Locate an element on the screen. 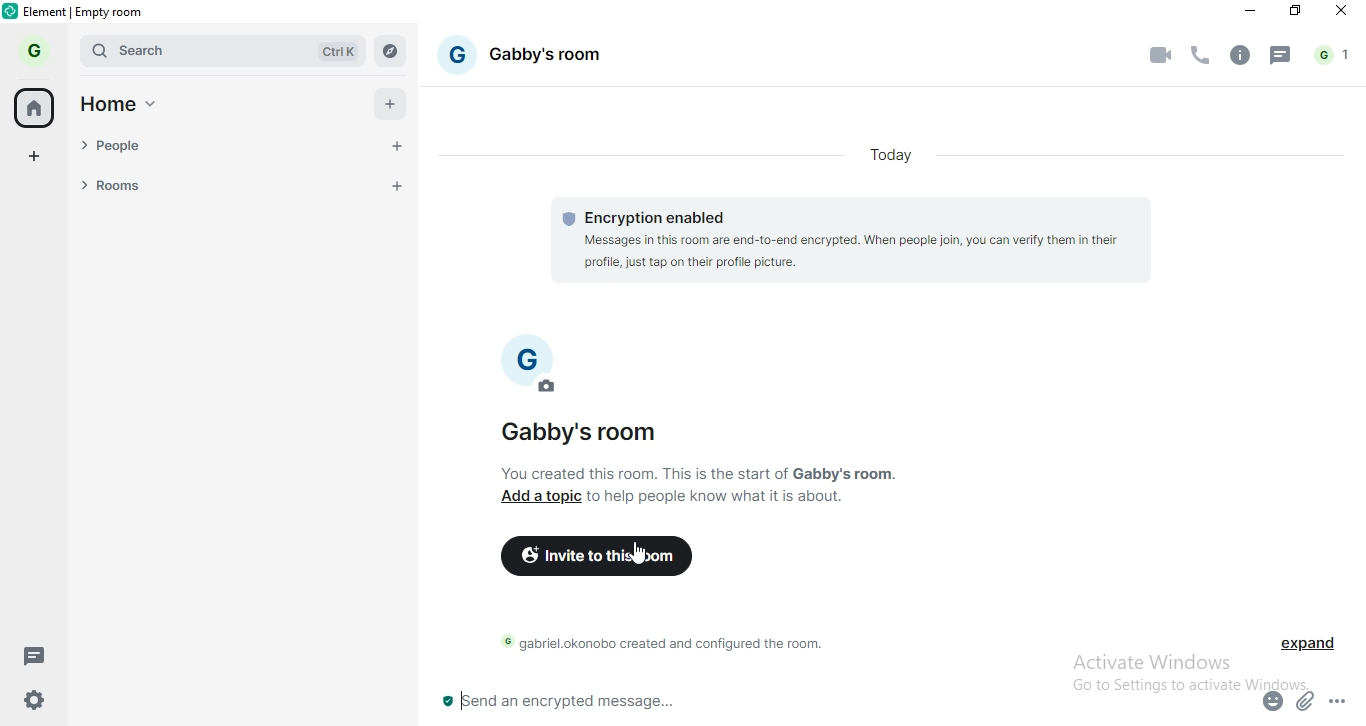 The height and width of the screenshot is (726, 1366). options is located at coordinates (1346, 705).